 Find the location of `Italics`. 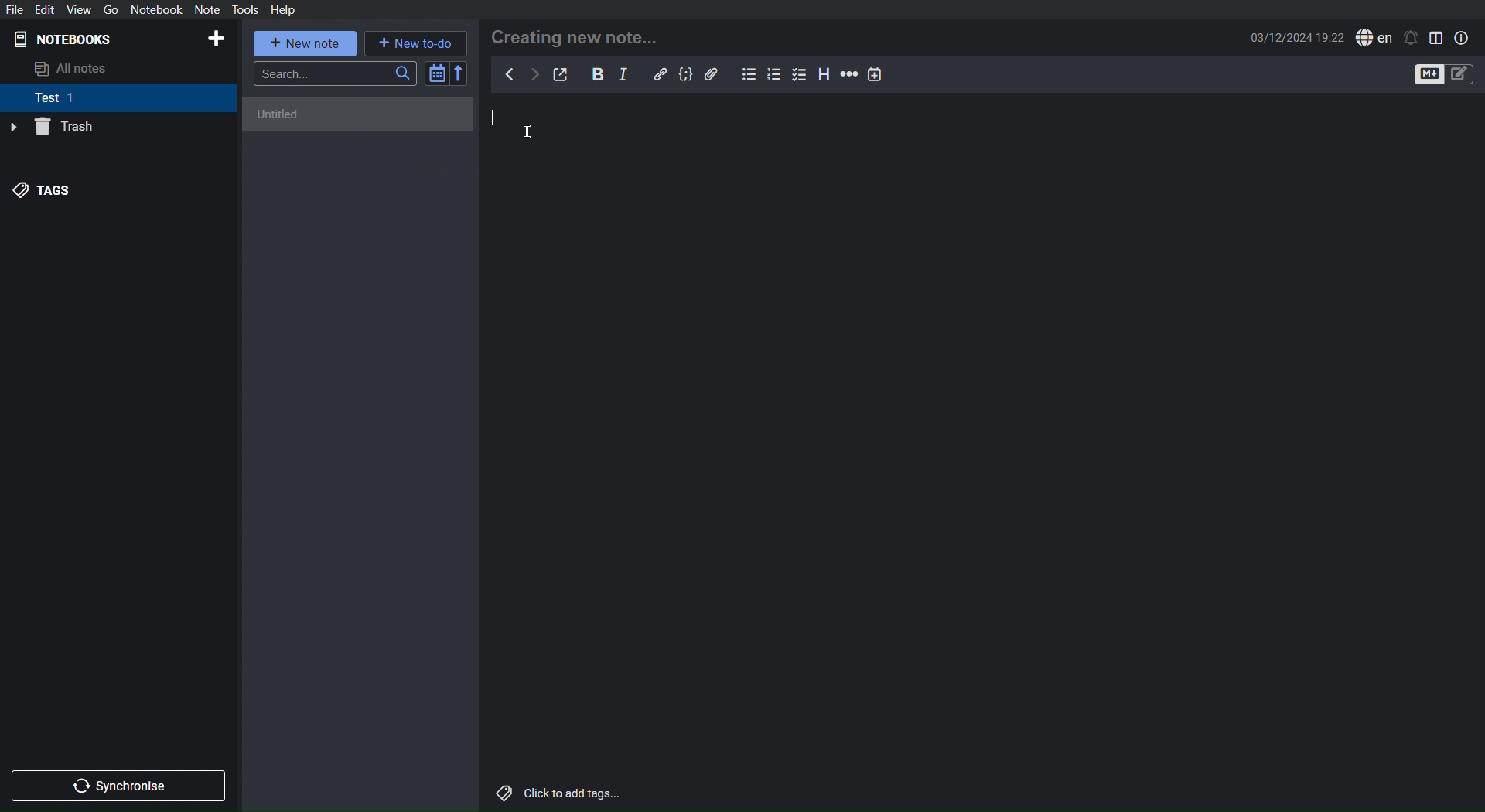

Italics is located at coordinates (623, 74).